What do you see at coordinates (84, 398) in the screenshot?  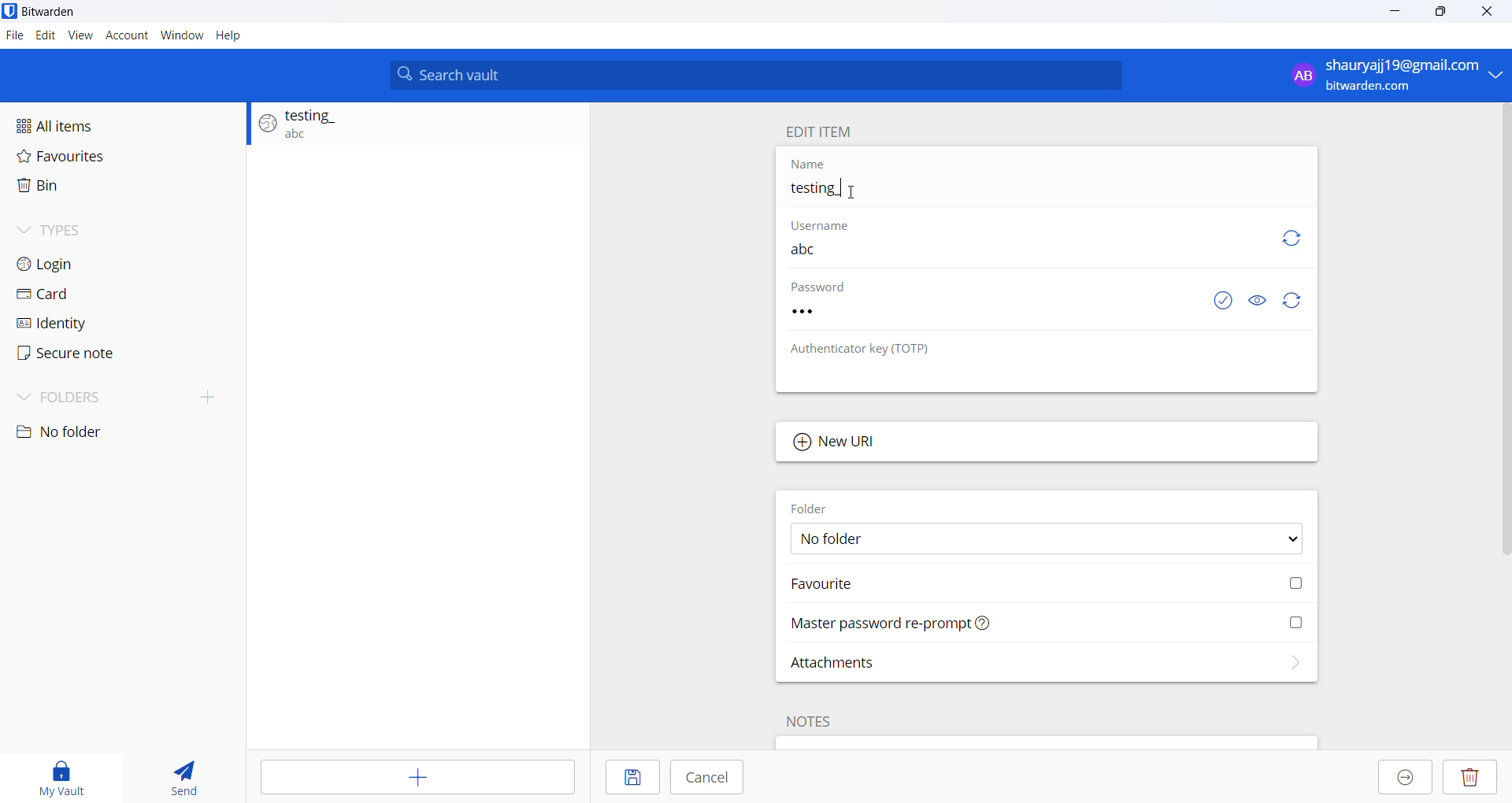 I see `Folders` at bounding box center [84, 398].